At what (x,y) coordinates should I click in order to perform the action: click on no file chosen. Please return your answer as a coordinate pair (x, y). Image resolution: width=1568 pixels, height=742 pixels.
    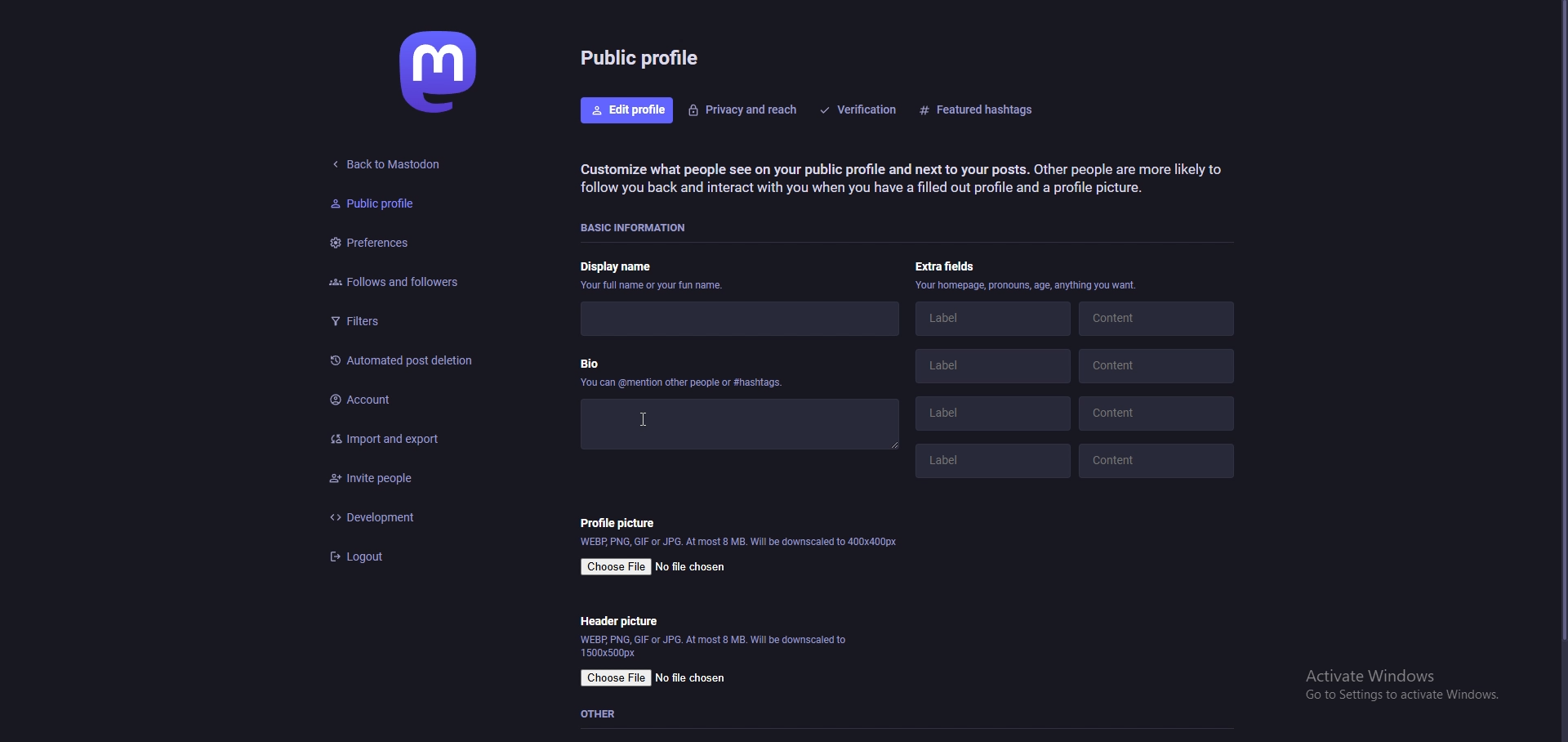
    Looking at the image, I should click on (694, 678).